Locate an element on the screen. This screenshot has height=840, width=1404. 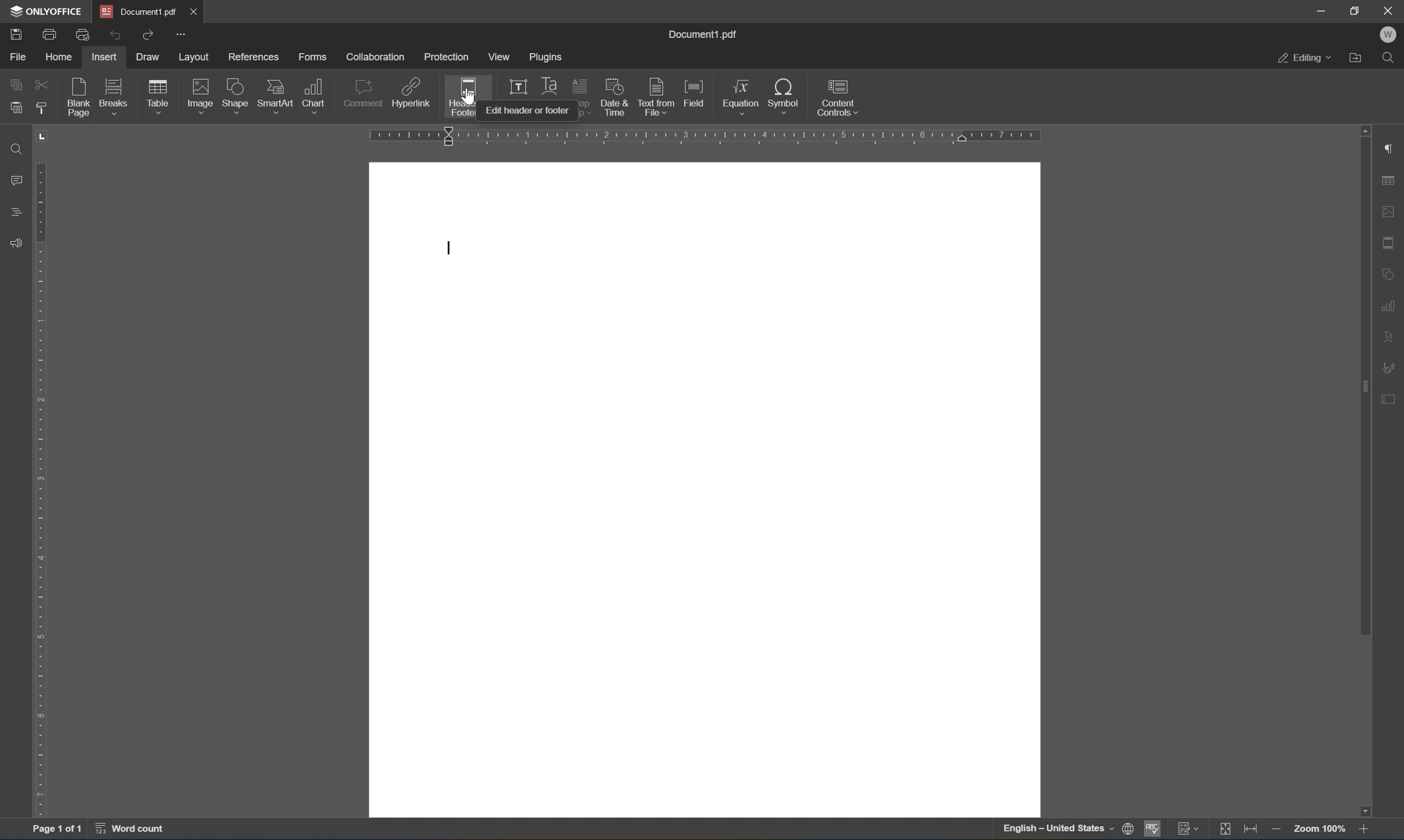
undo is located at coordinates (112, 35).